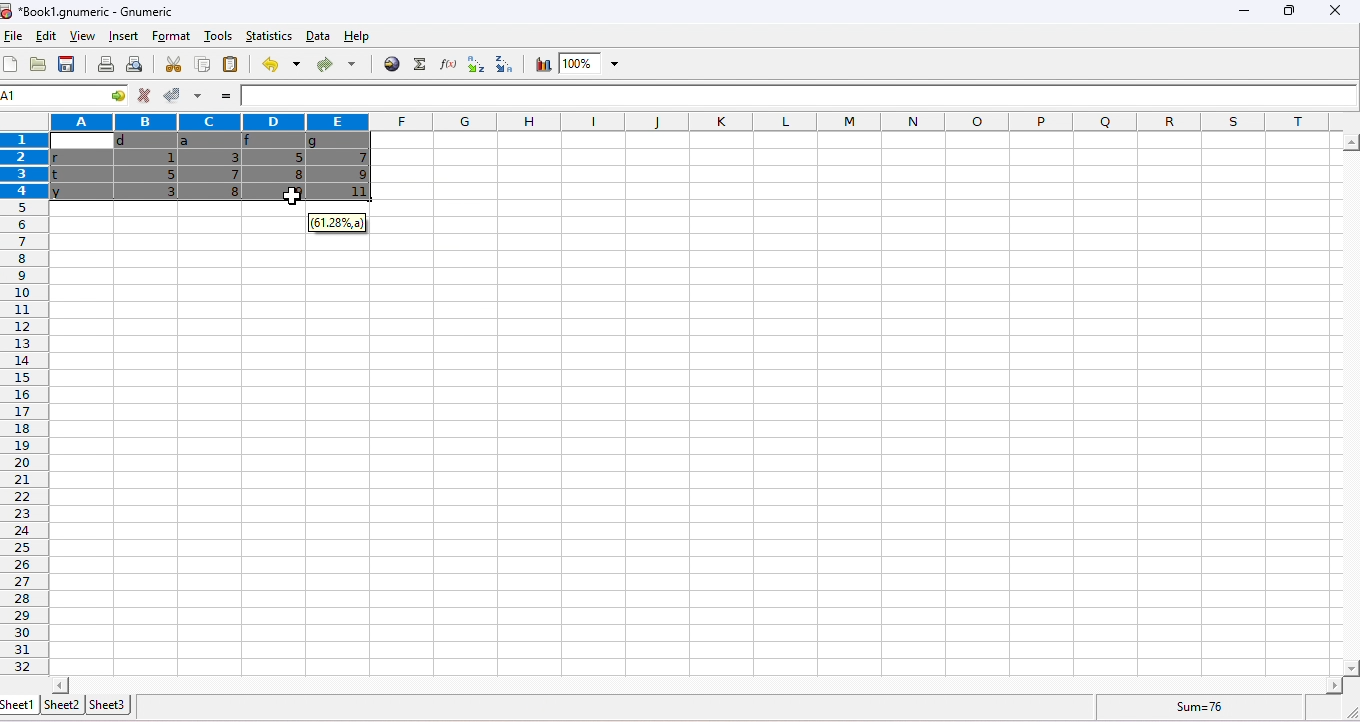  I want to click on =, so click(224, 97).